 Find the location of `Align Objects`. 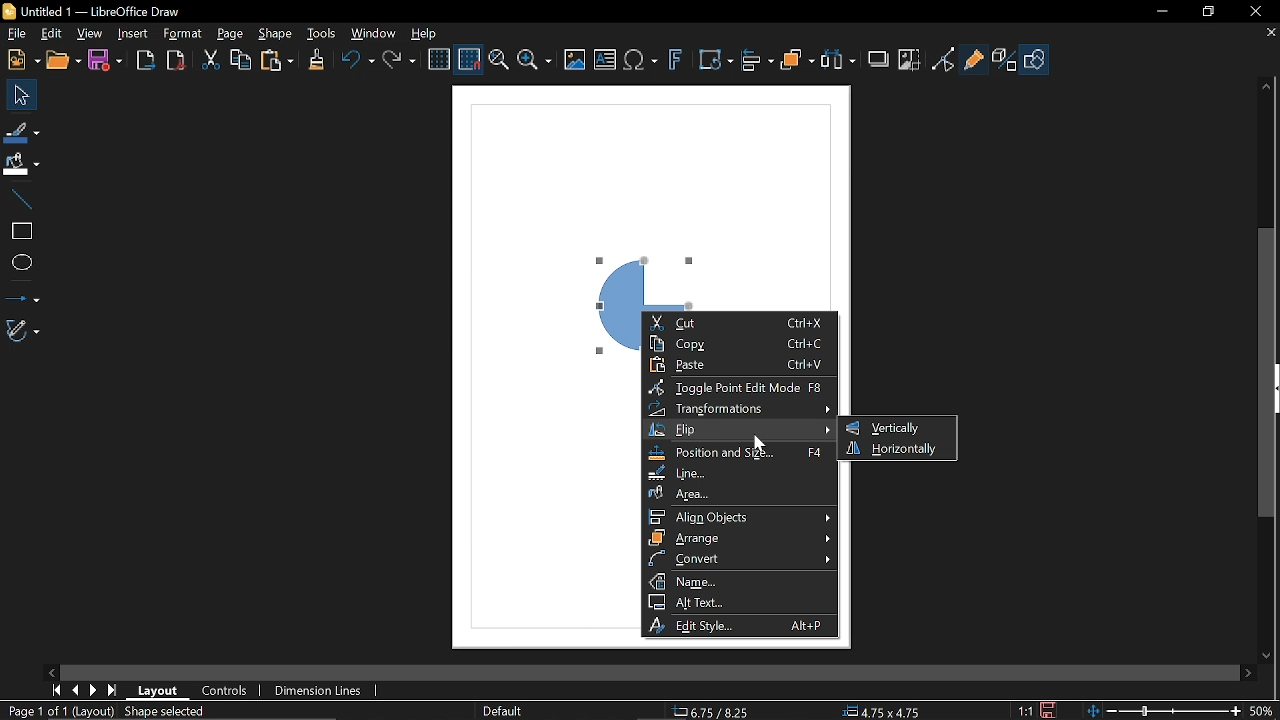

Align Objects is located at coordinates (739, 516).